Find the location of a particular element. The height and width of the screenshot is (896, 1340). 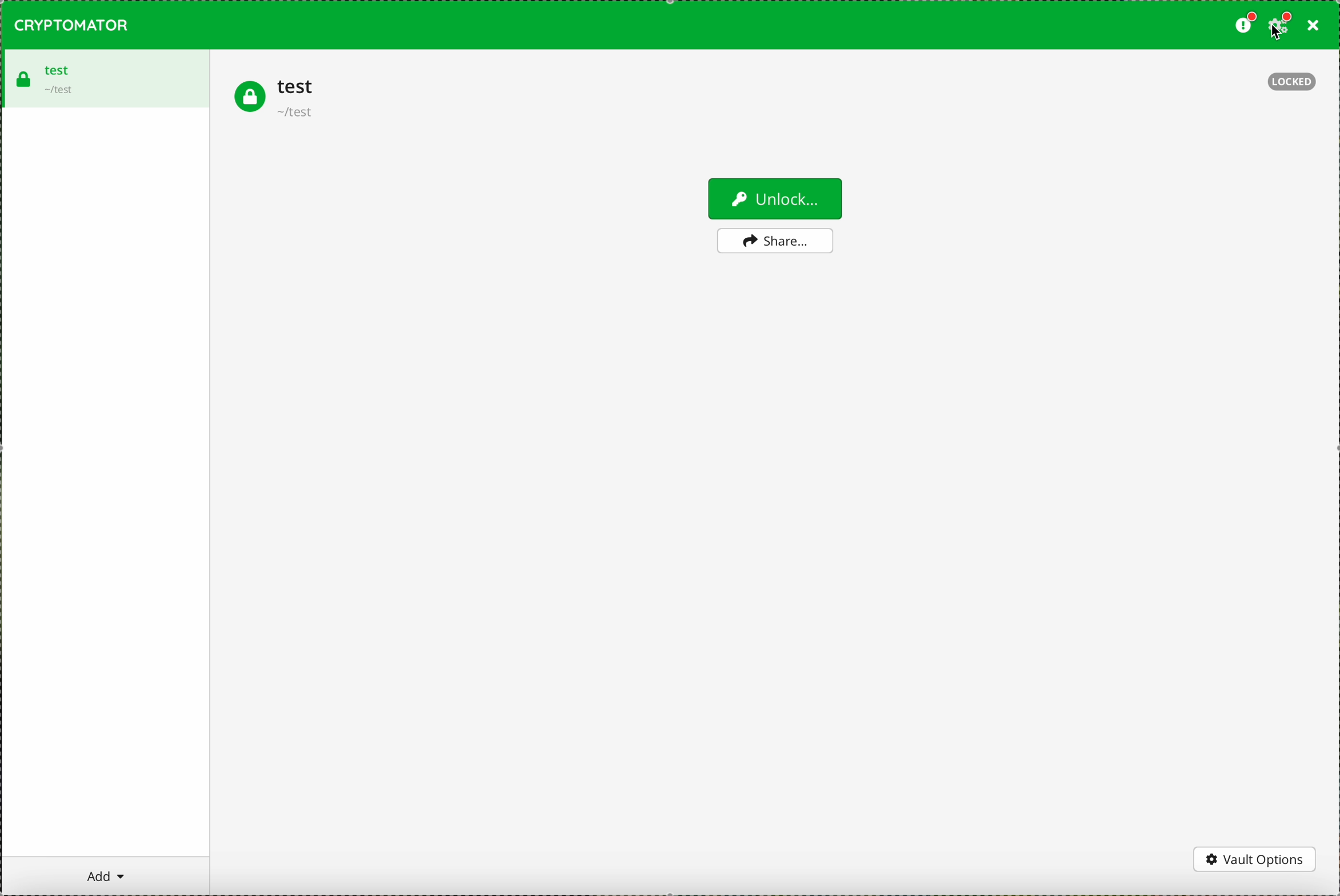

donate is located at coordinates (1243, 25).